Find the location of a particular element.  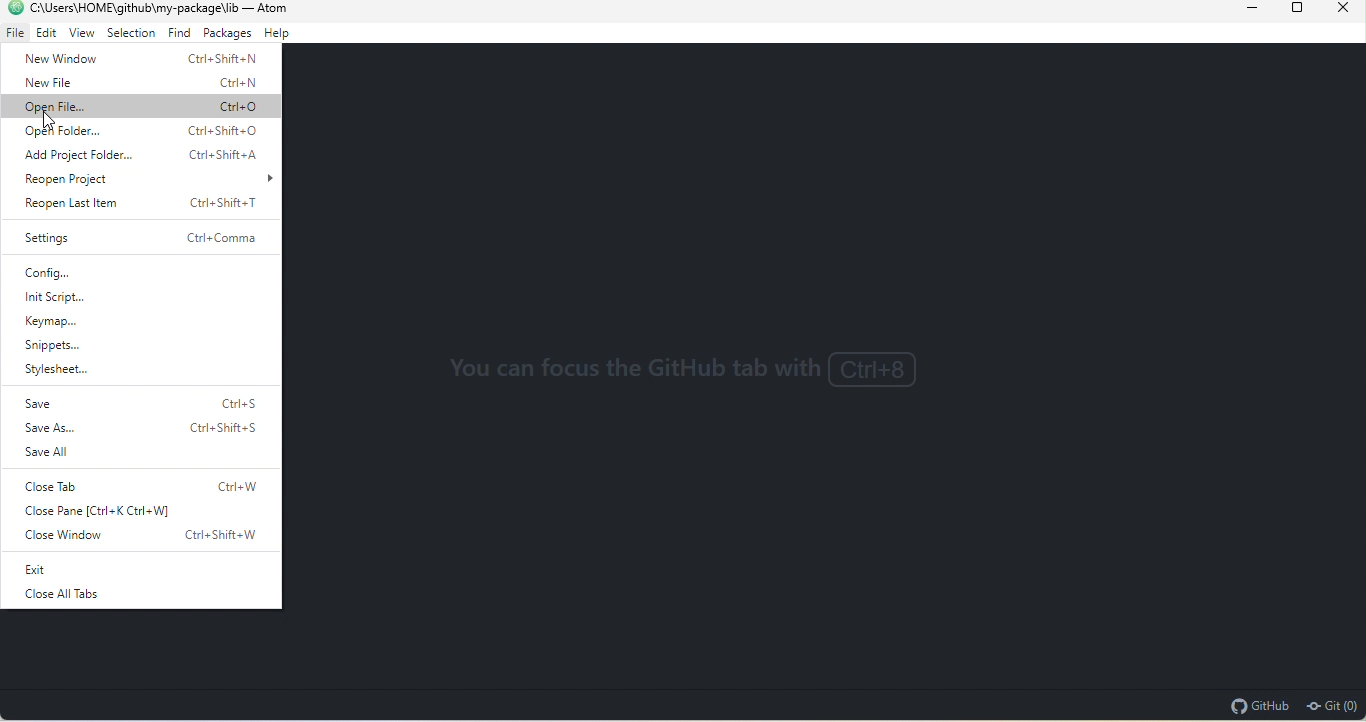

save all is located at coordinates (48, 451).